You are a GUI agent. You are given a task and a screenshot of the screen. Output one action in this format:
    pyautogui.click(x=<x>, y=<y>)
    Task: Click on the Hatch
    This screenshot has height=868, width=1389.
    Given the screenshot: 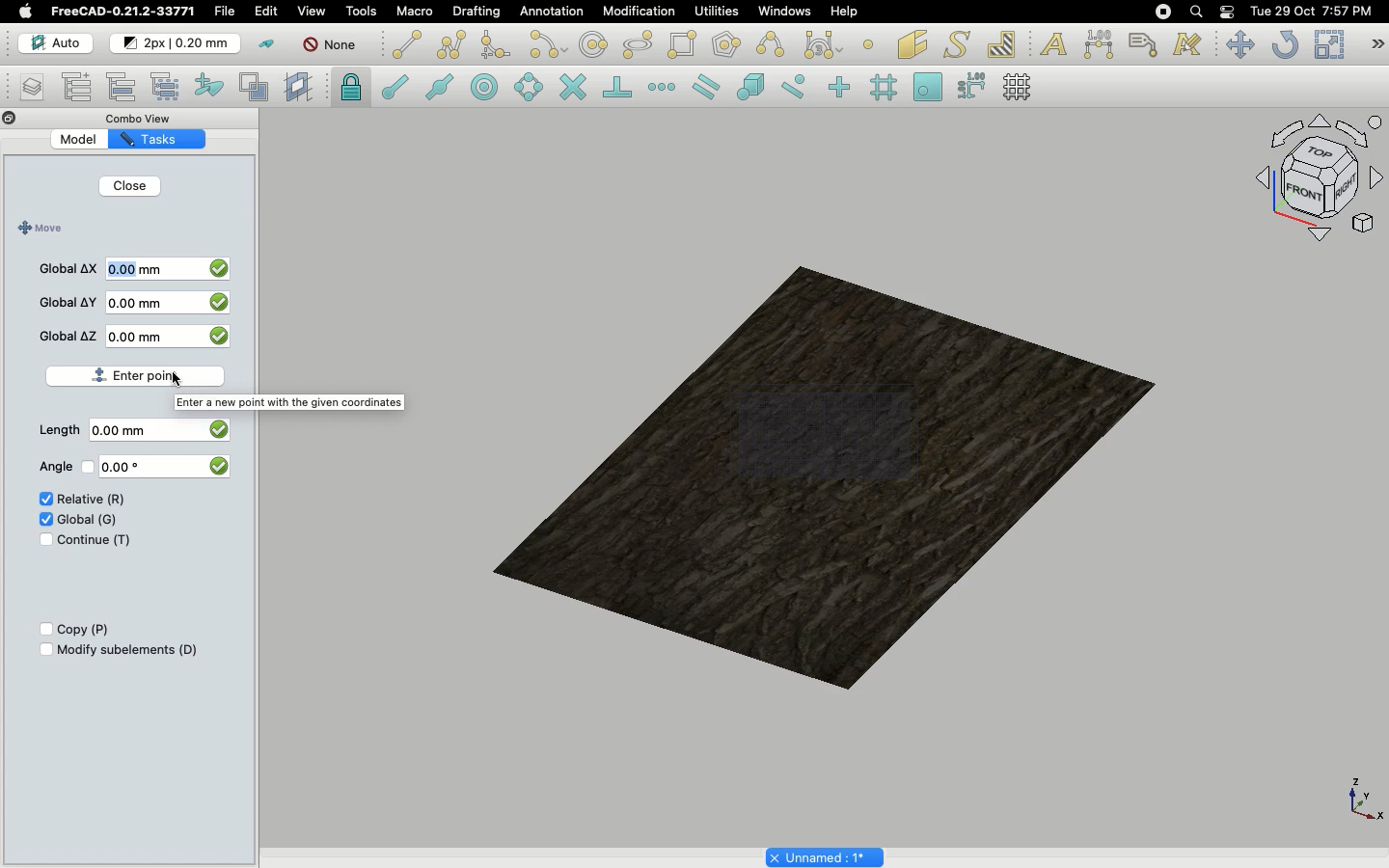 What is the action you would take?
    pyautogui.click(x=1002, y=44)
    